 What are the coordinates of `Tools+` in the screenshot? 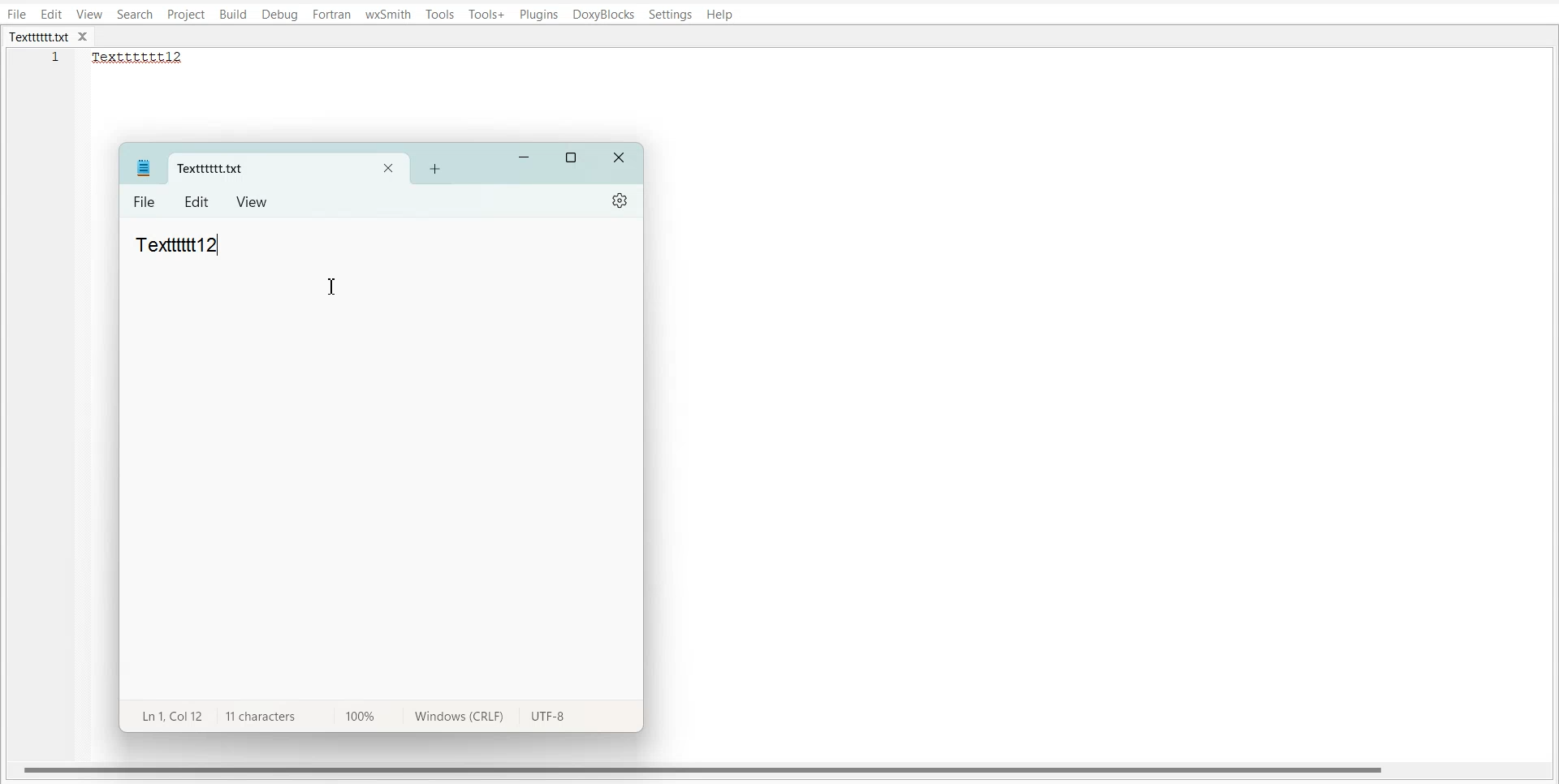 It's located at (487, 15).